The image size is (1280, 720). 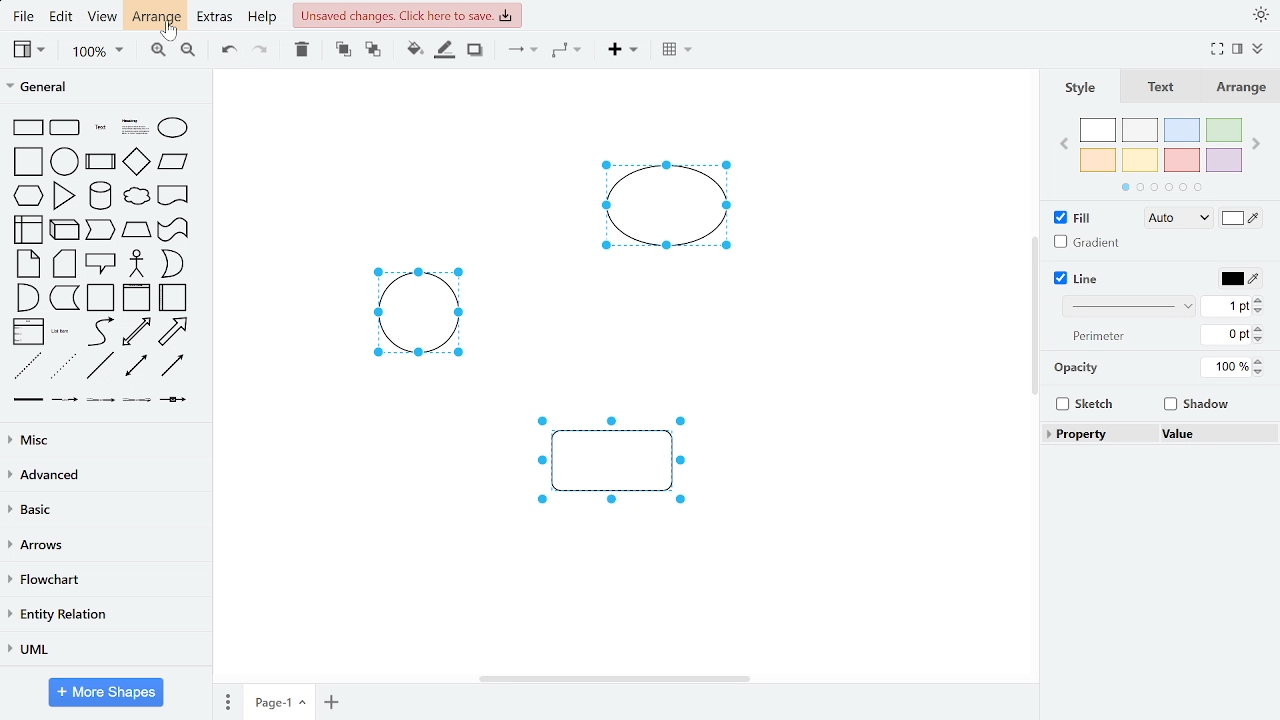 I want to click on arrange, so click(x=159, y=17).